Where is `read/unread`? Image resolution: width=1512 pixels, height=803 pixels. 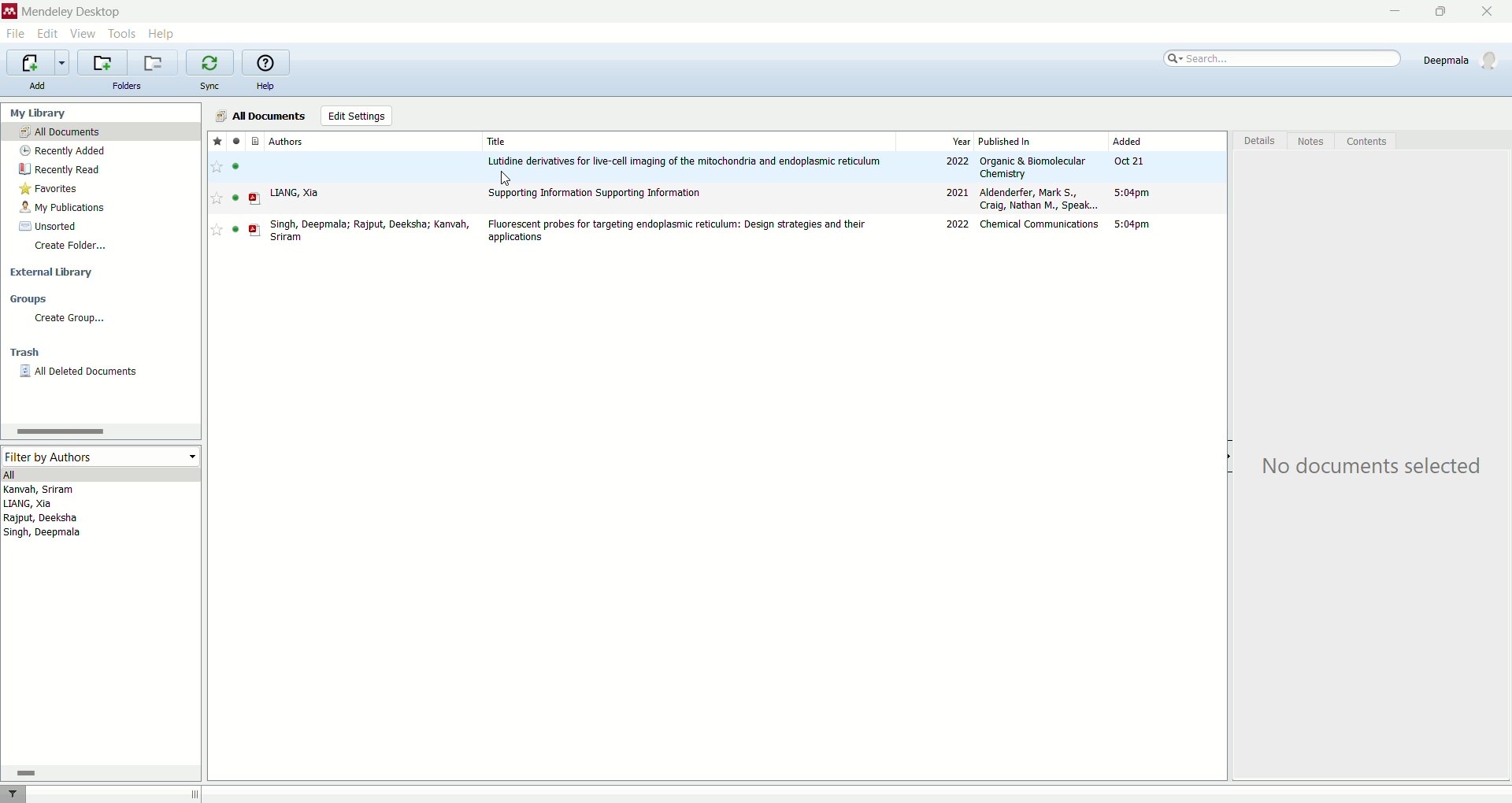 read/unread is located at coordinates (239, 166).